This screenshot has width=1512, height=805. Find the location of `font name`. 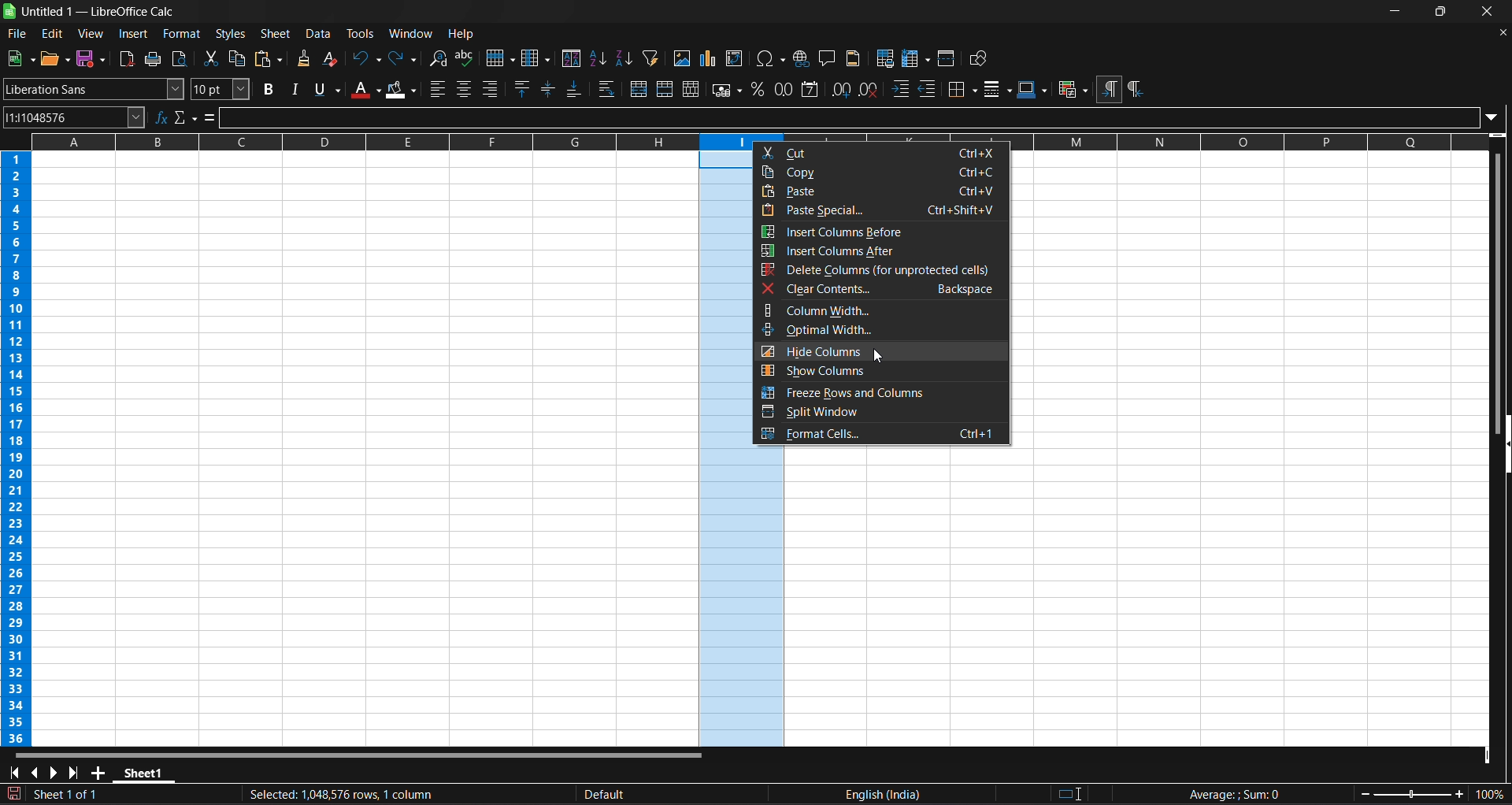

font name is located at coordinates (93, 89).